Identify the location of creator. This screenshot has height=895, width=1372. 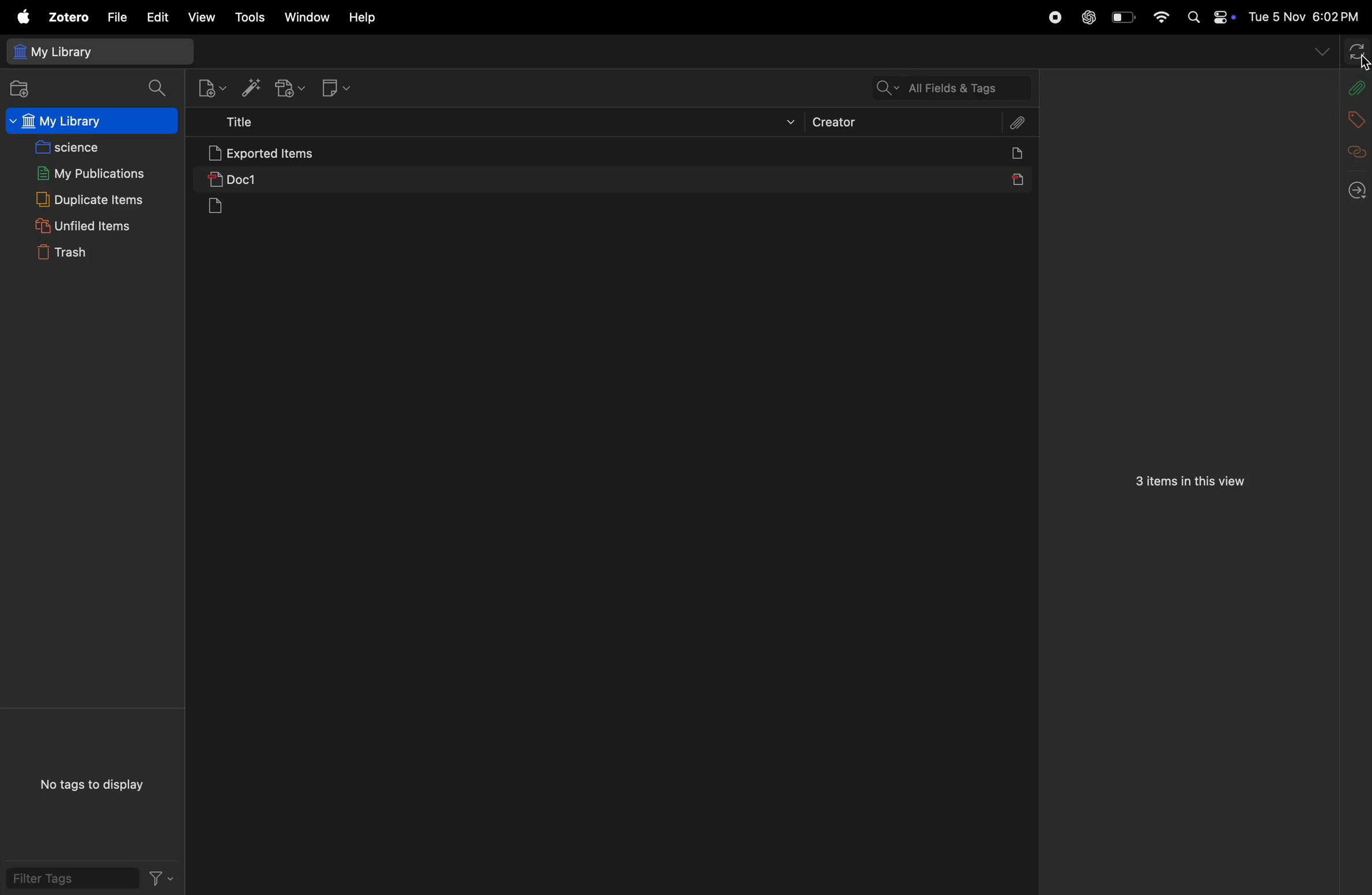
(902, 122).